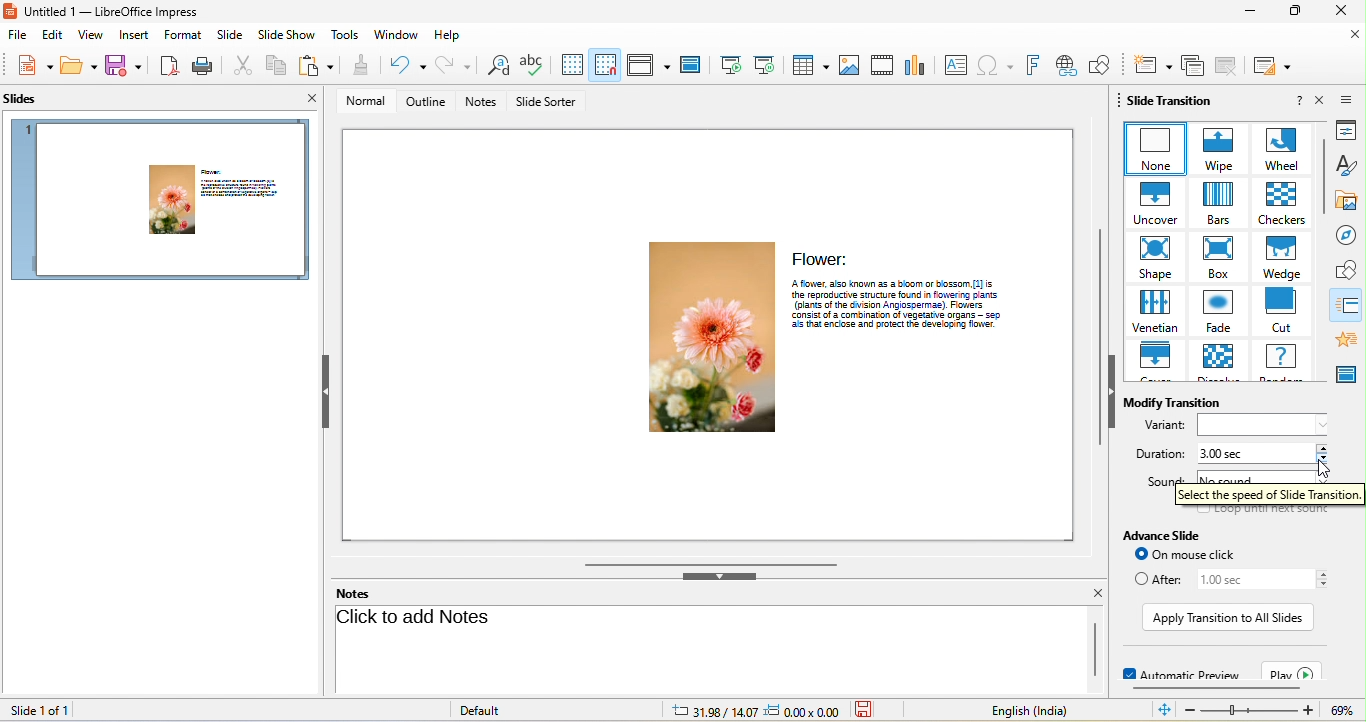  I want to click on wipe, so click(1215, 148).